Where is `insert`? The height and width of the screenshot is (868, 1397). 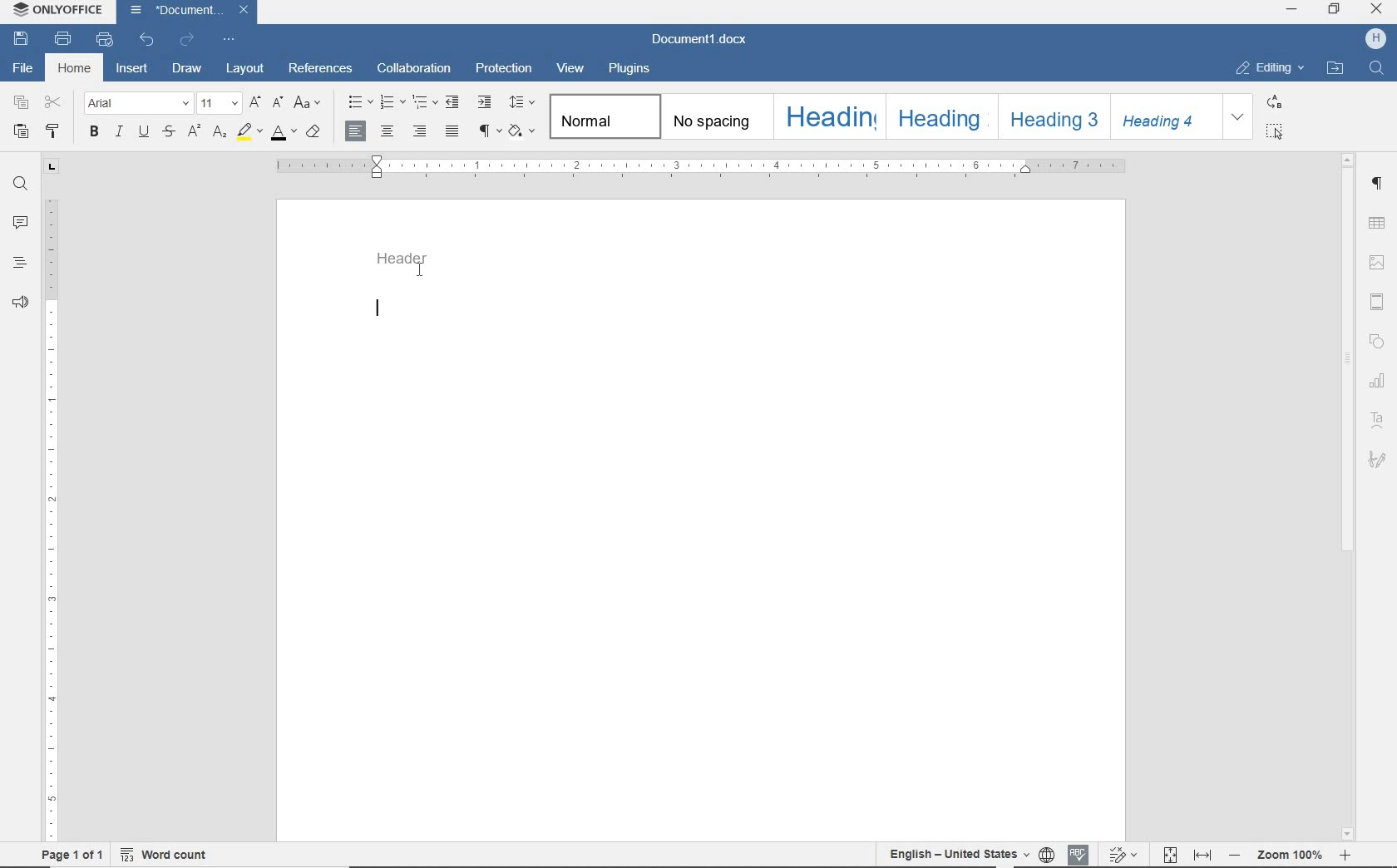 insert is located at coordinates (133, 67).